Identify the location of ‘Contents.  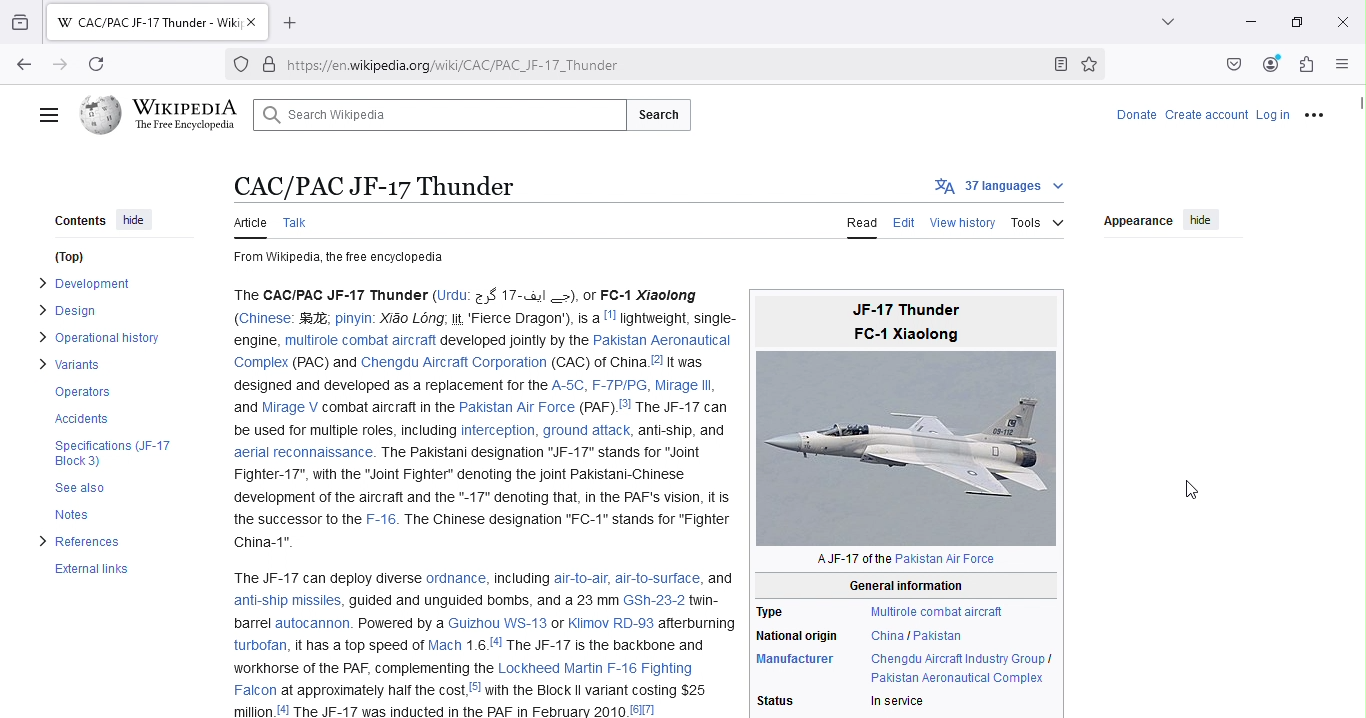
(70, 221).